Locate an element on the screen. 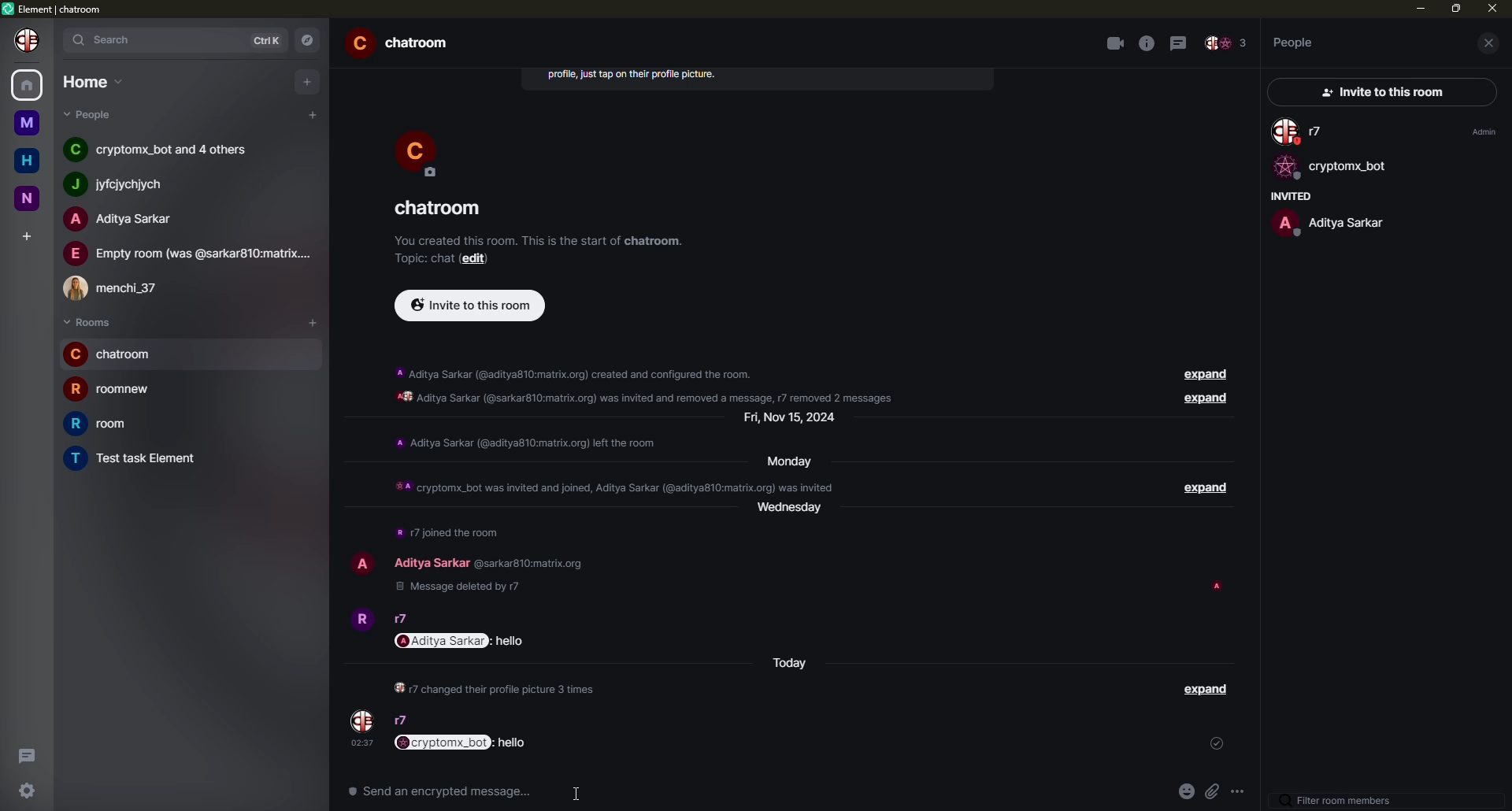 The width and height of the screenshot is (1512, 811). message is located at coordinates (461, 641).